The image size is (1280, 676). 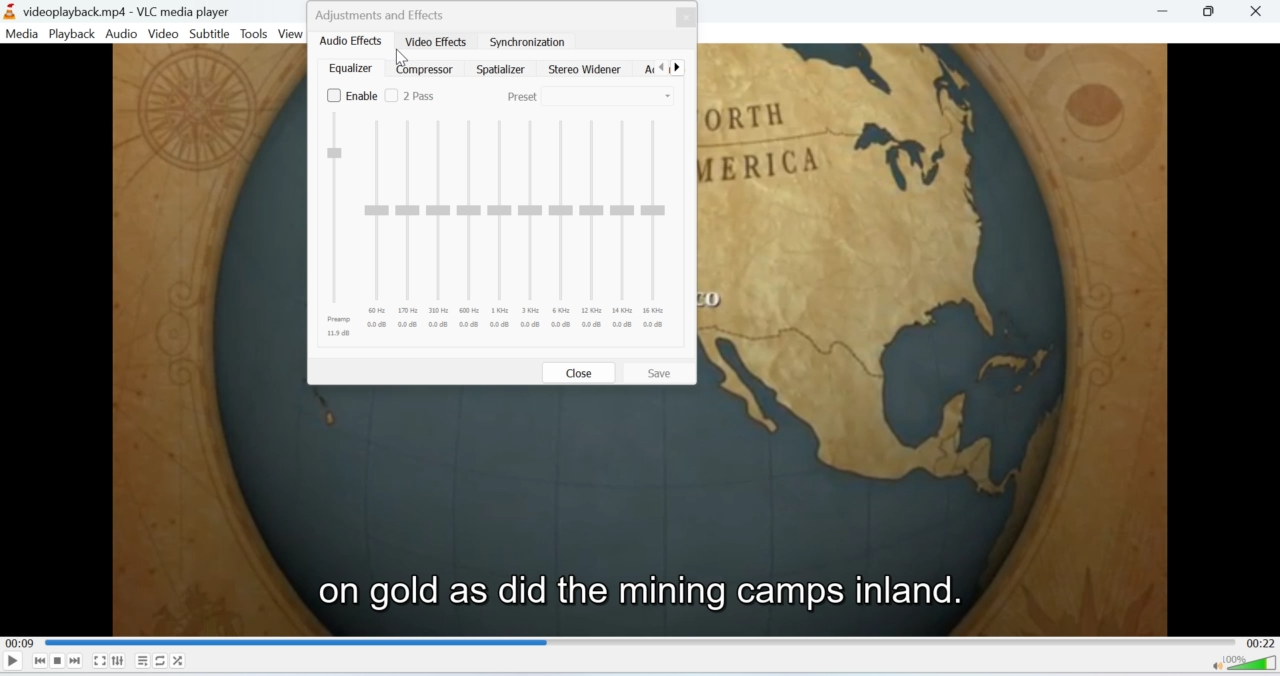 What do you see at coordinates (350, 42) in the screenshot?
I see `audio effects` at bounding box center [350, 42].